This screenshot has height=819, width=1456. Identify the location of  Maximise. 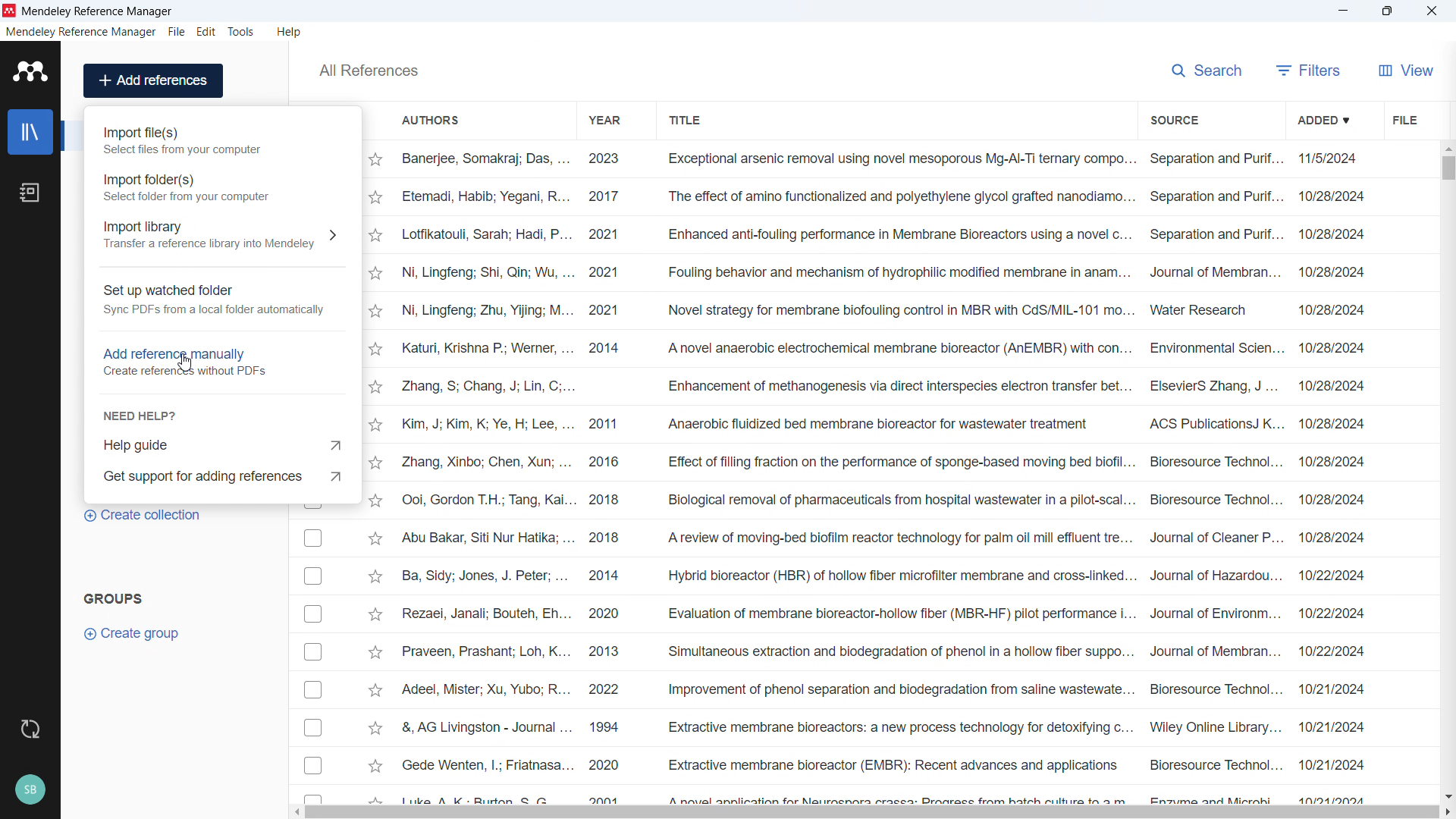
(1388, 11).